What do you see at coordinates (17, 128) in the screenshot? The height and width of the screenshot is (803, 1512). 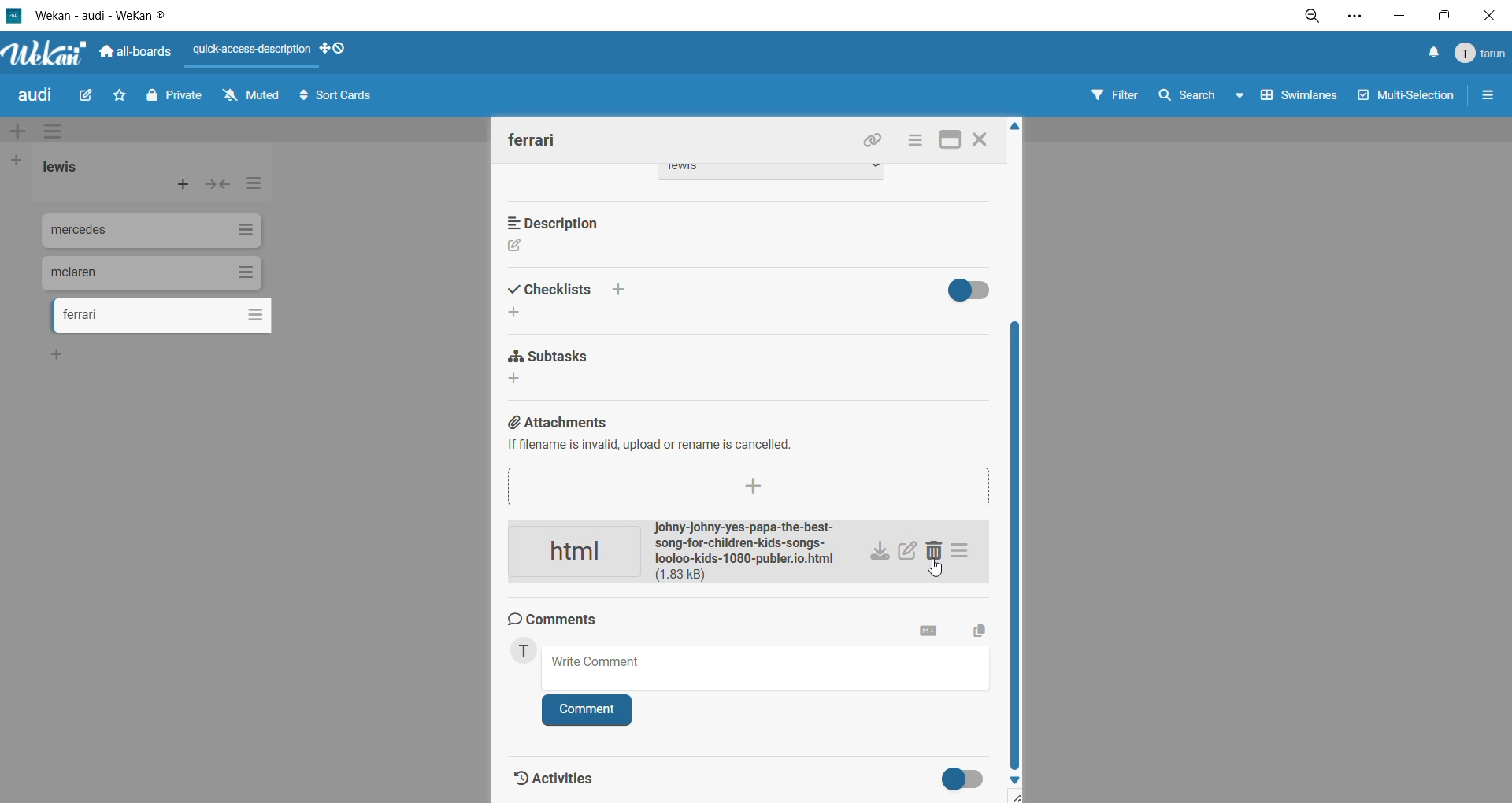 I see `add swimlane` at bounding box center [17, 128].